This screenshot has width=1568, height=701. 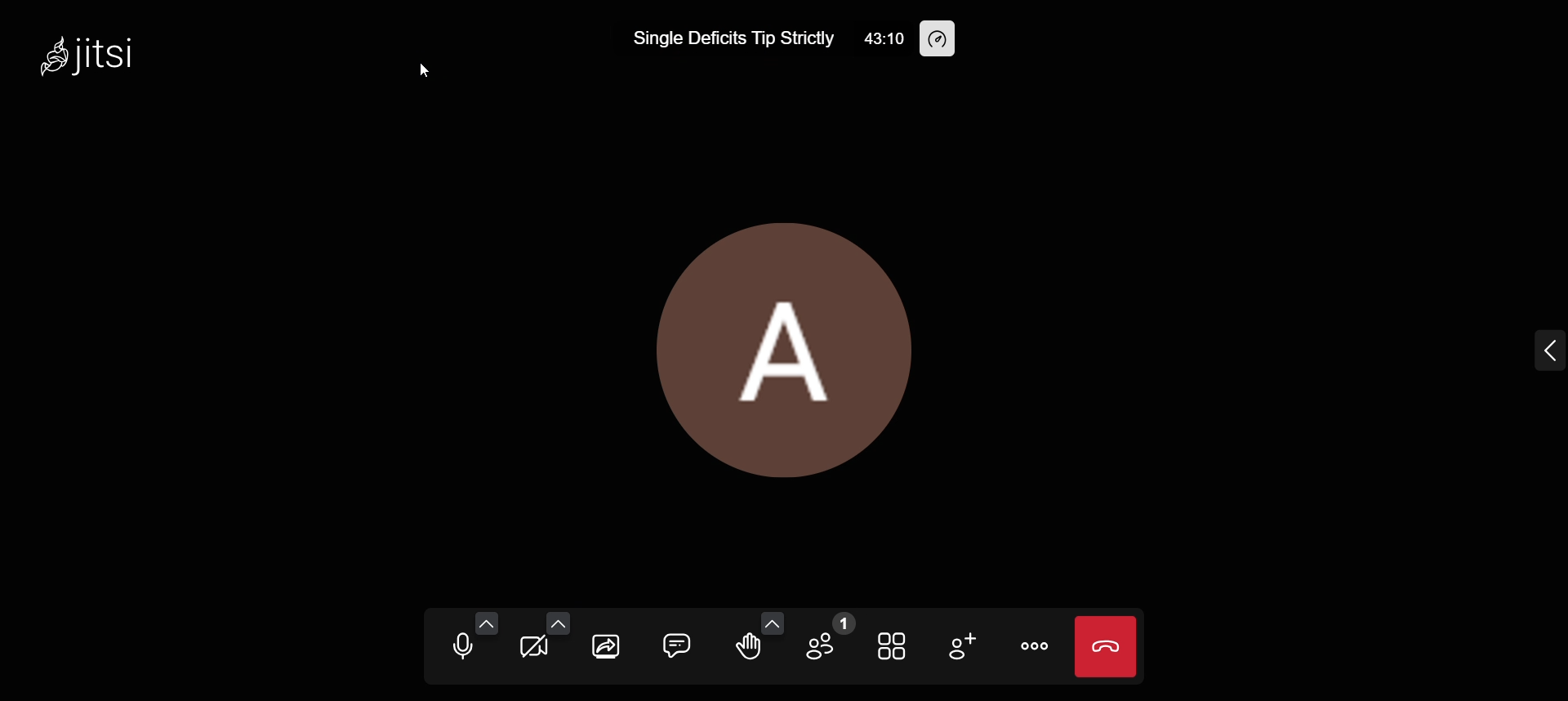 What do you see at coordinates (673, 643) in the screenshot?
I see `open chat` at bounding box center [673, 643].